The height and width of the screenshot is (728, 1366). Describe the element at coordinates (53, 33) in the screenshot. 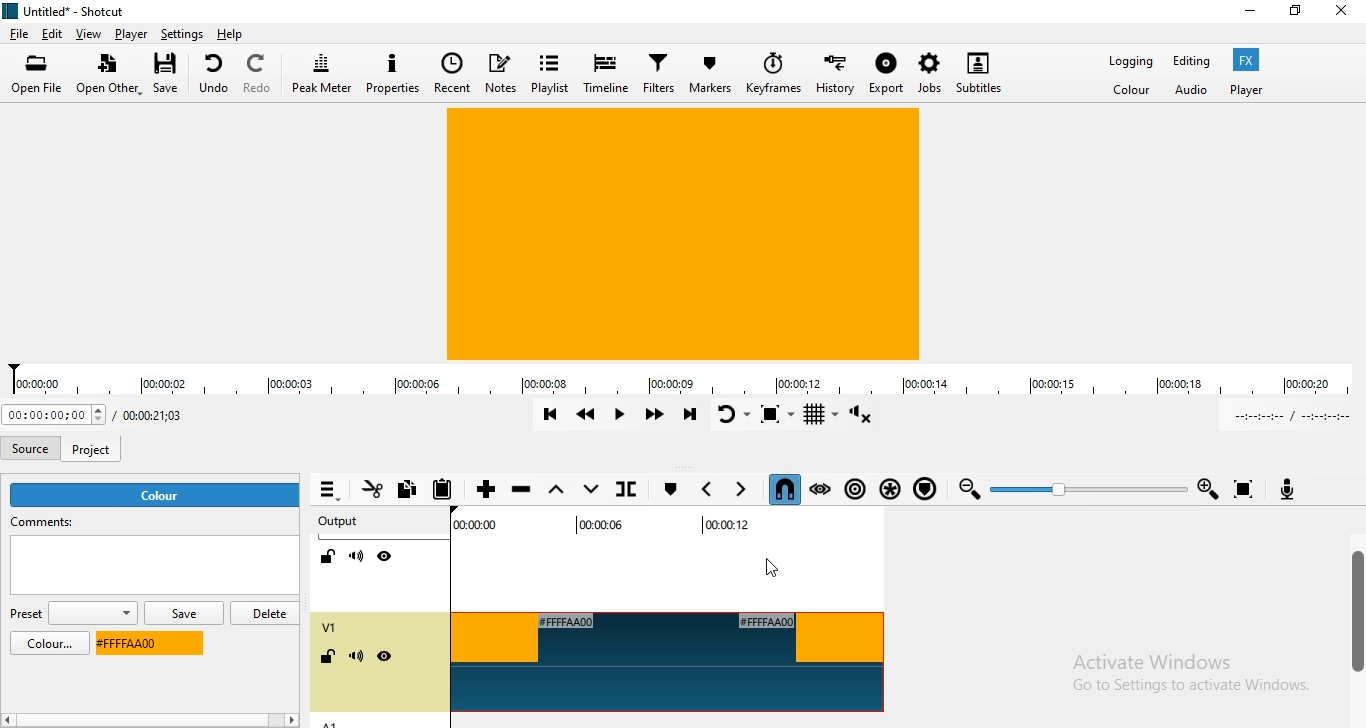

I see `Edit` at that location.